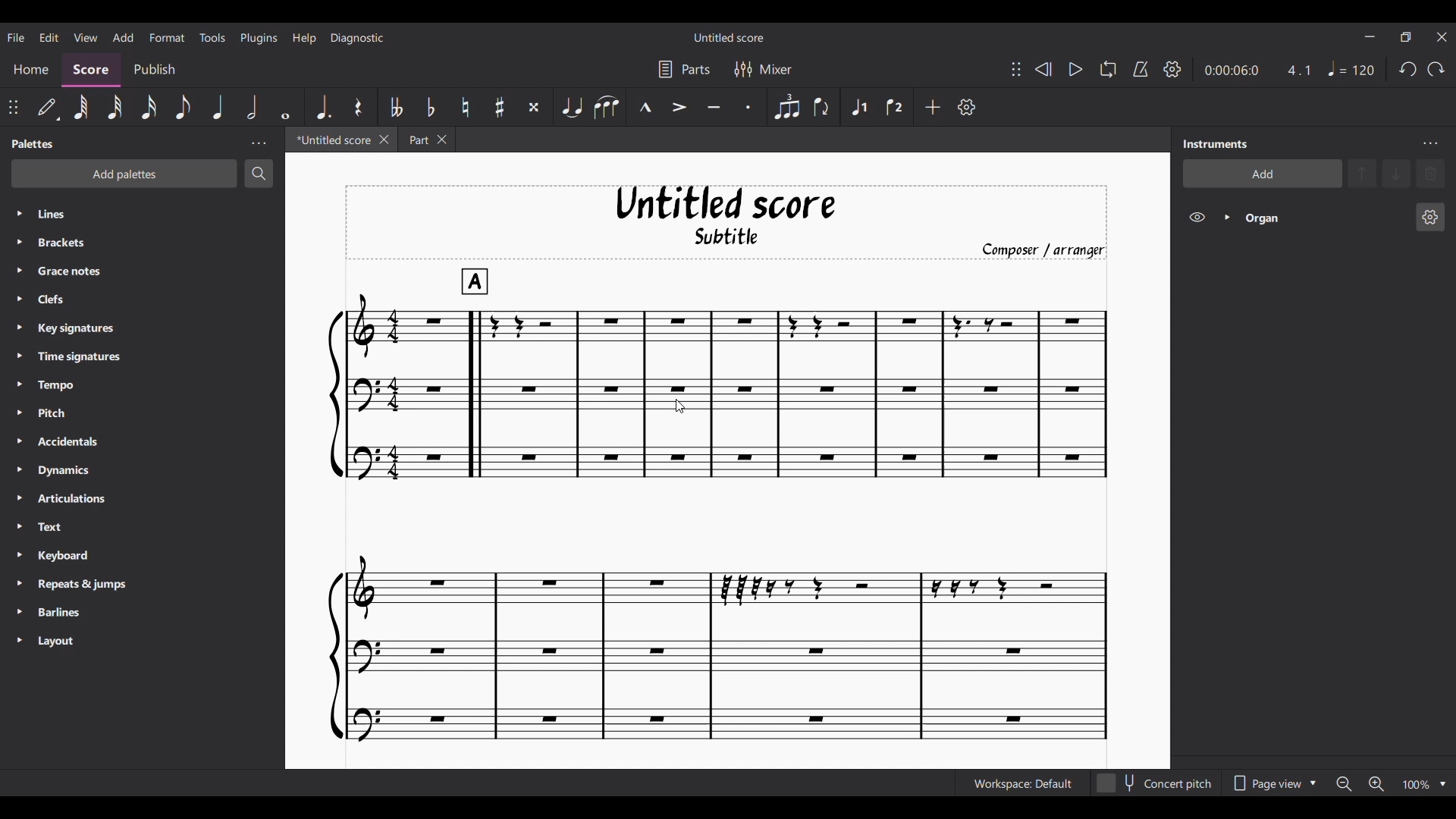 The width and height of the screenshot is (1456, 819). Describe the element at coordinates (182, 107) in the screenshot. I see `8th note` at that location.